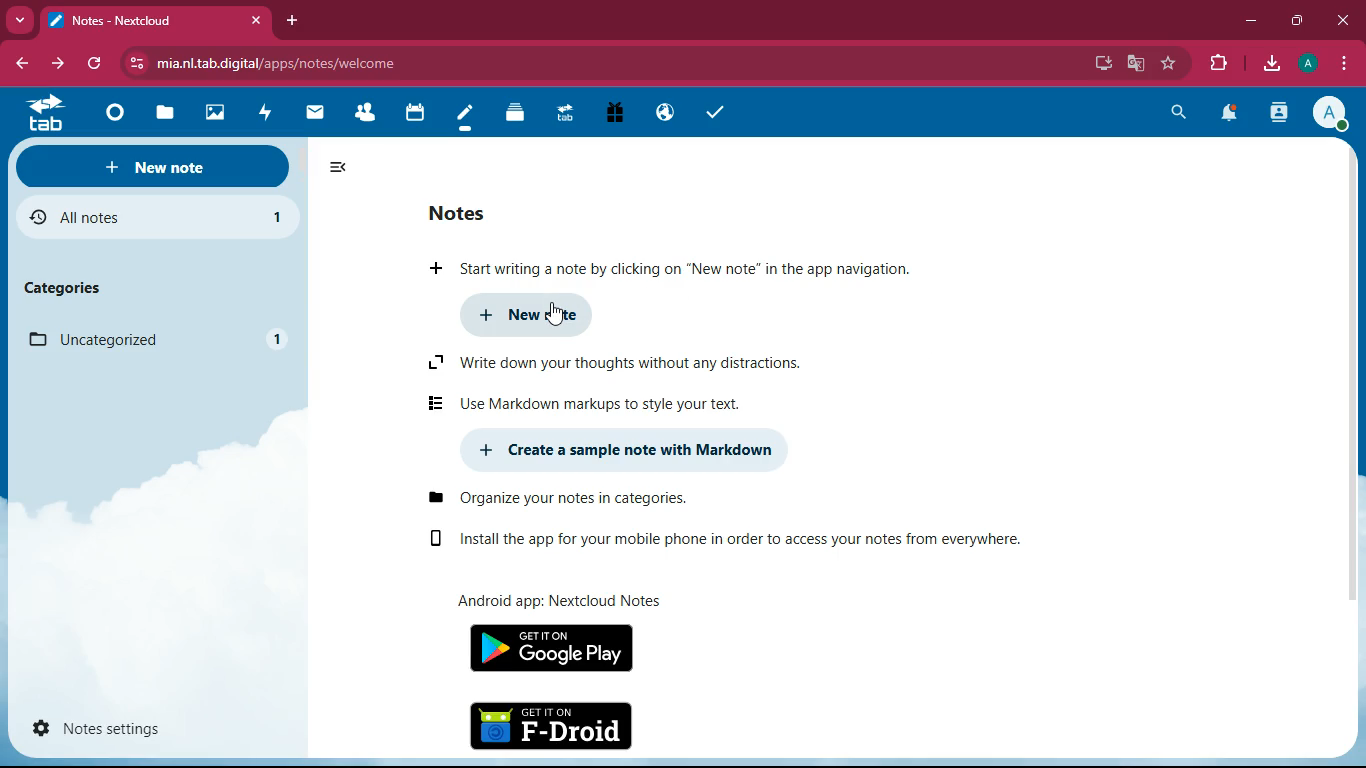 This screenshot has height=768, width=1366. Describe the element at coordinates (19, 20) in the screenshot. I see `more` at that location.